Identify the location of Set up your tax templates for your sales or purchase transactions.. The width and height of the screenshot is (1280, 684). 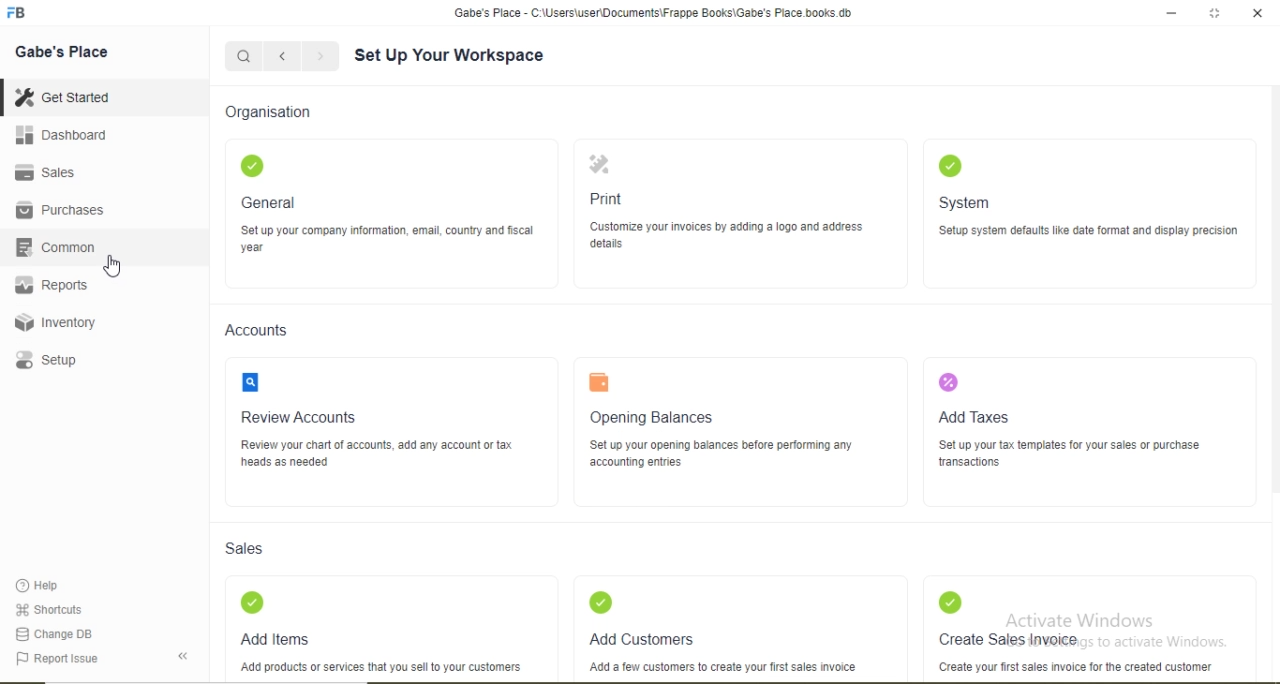
(1071, 454).